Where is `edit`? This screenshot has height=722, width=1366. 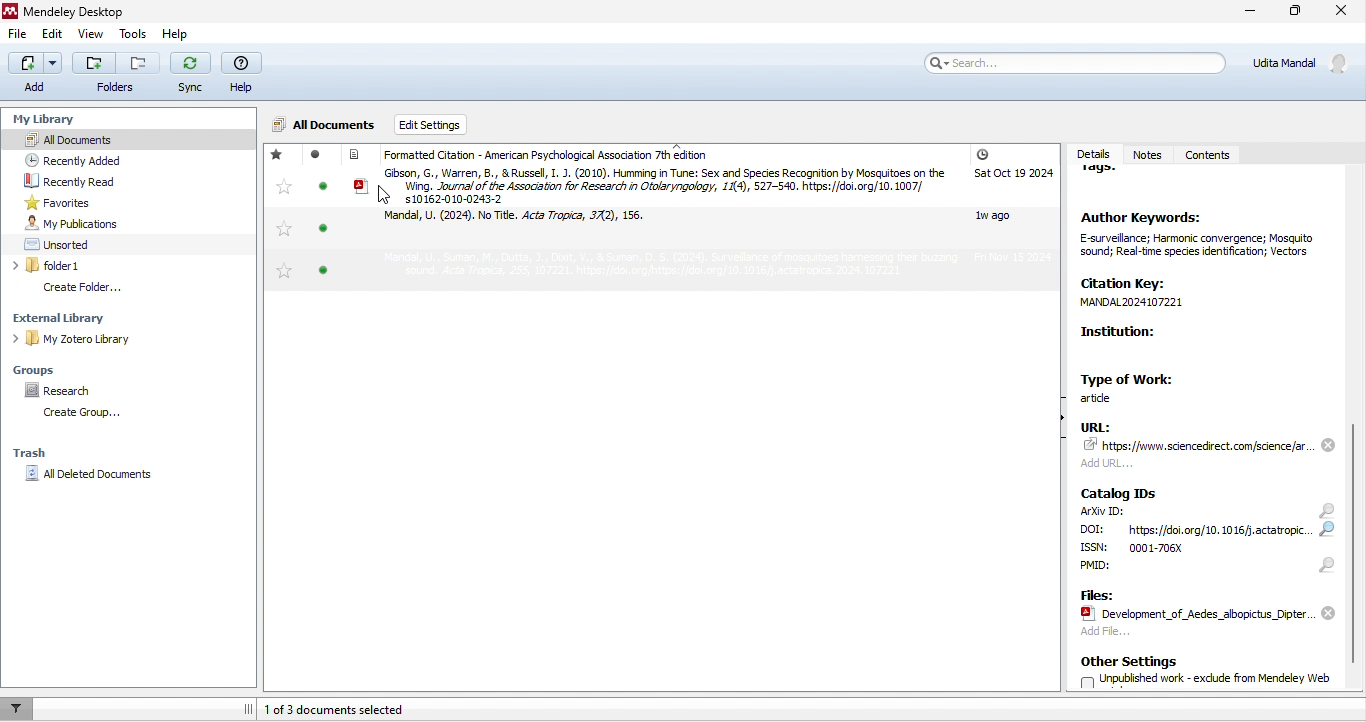
edit is located at coordinates (53, 35).